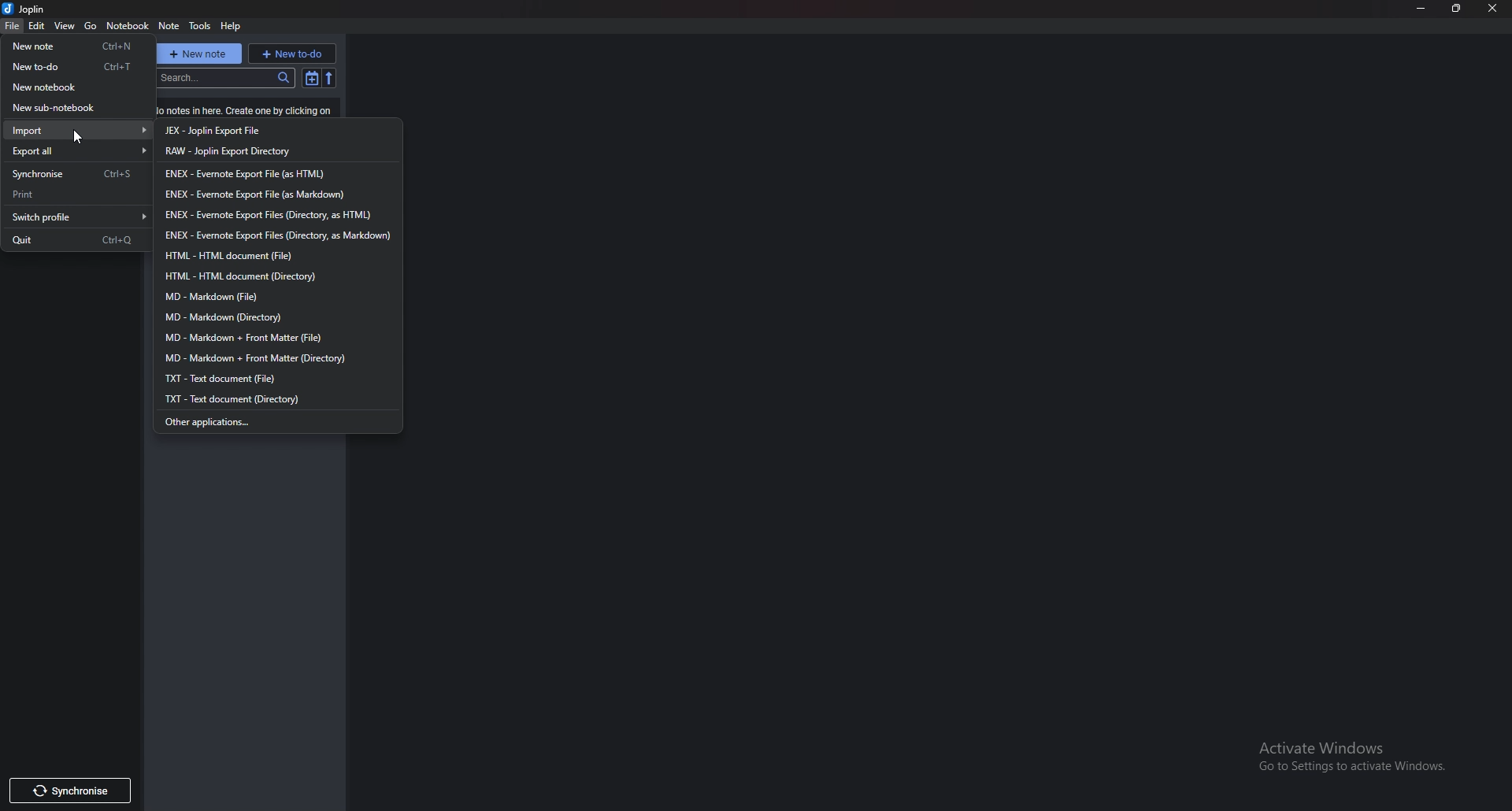 This screenshot has width=1512, height=811. What do you see at coordinates (1424, 7) in the screenshot?
I see `Minimize` at bounding box center [1424, 7].